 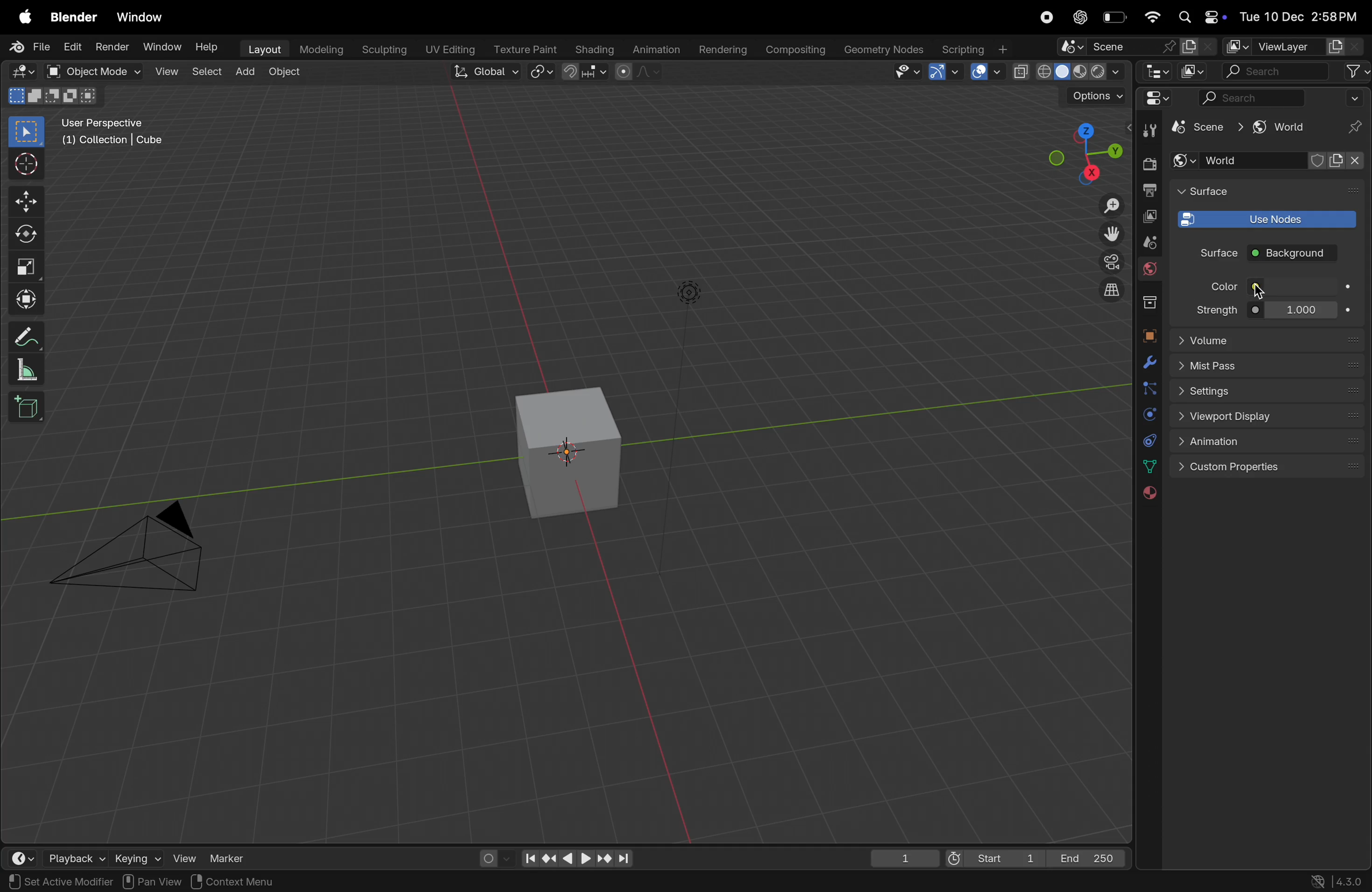 I want to click on marker, so click(x=228, y=857).